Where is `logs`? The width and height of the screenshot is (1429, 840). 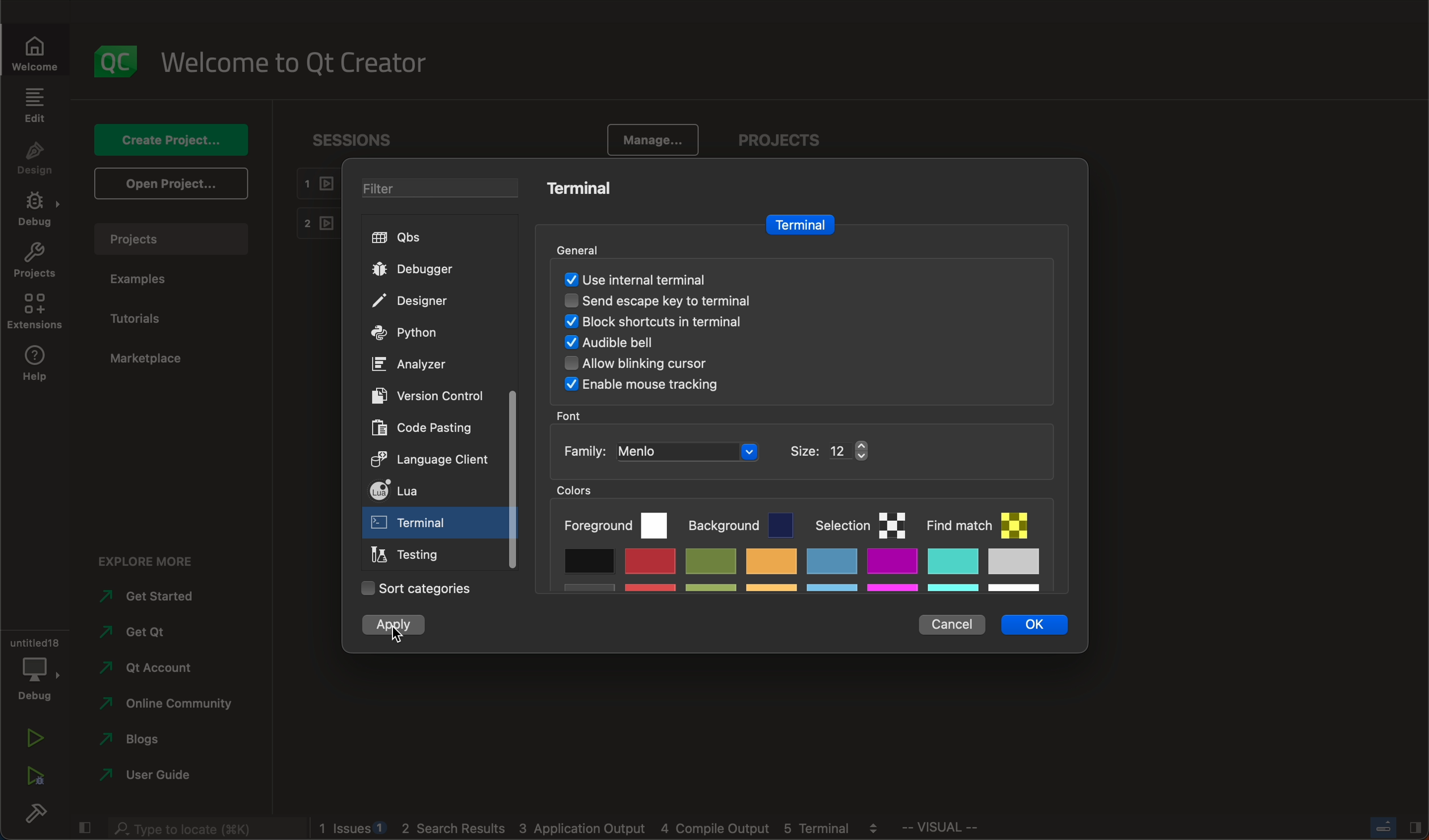 logs is located at coordinates (605, 830).